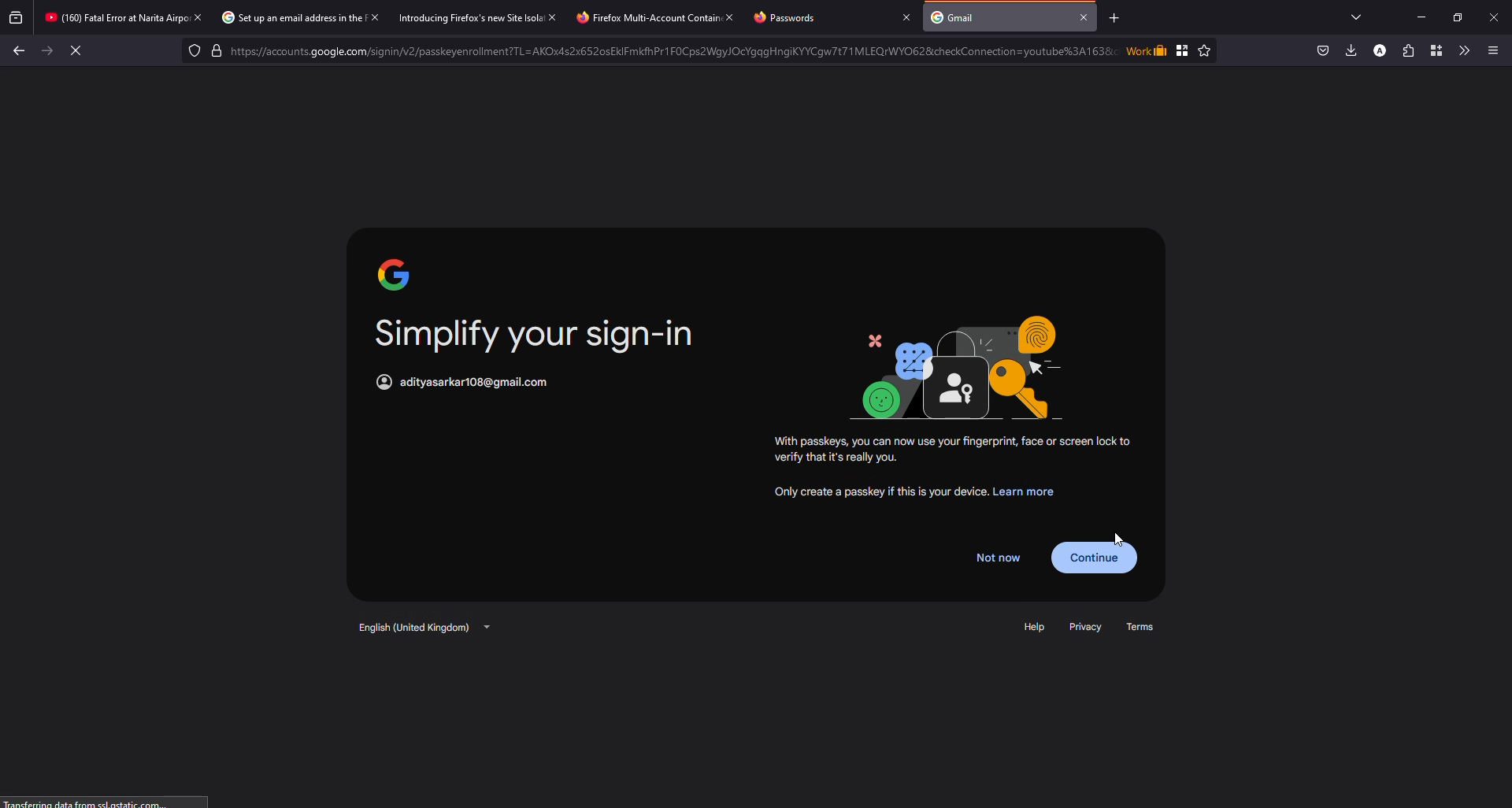  What do you see at coordinates (1184, 50) in the screenshot?
I see `Bookmark` at bounding box center [1184, 50].